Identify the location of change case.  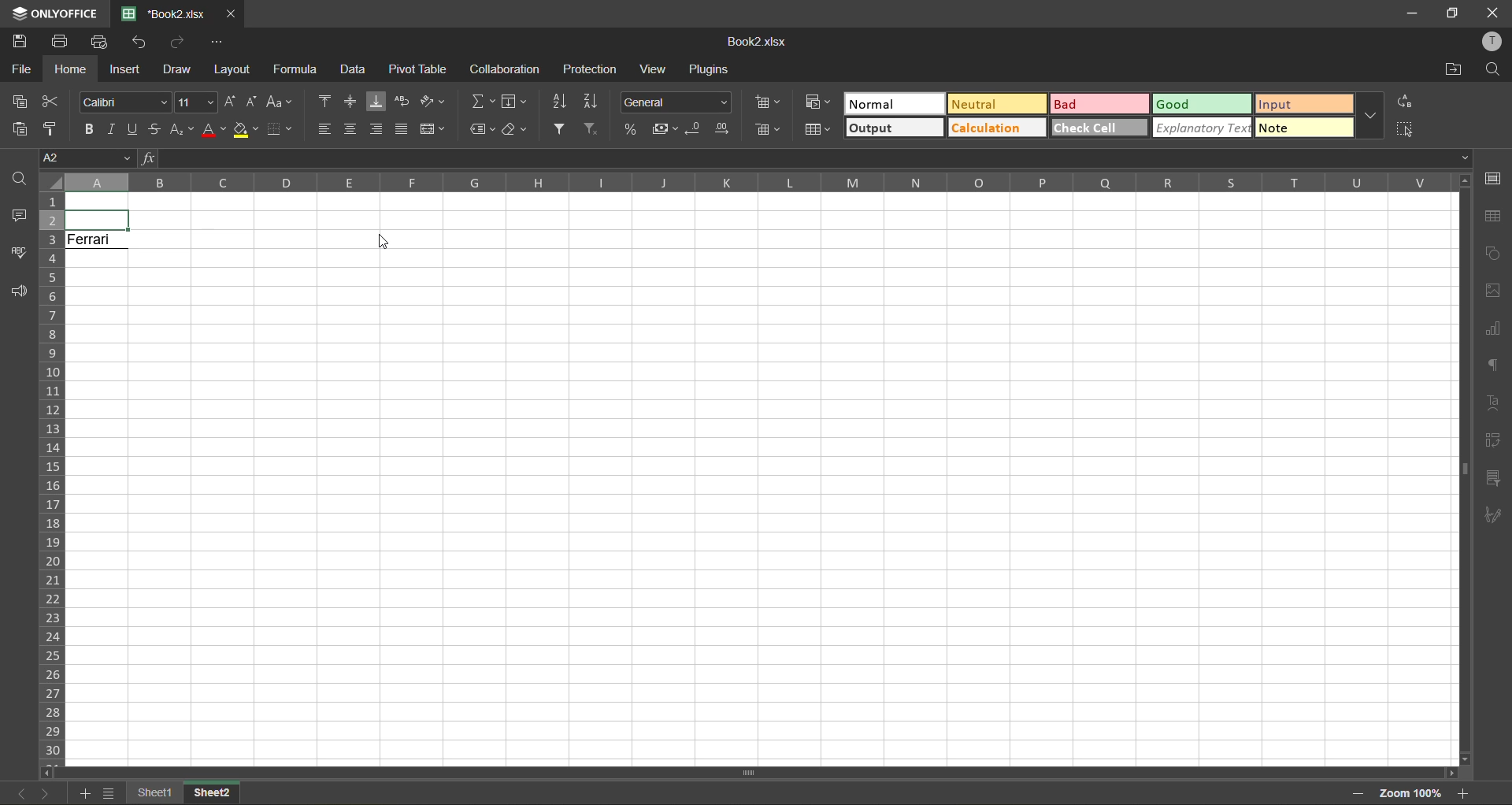
(283, 102).